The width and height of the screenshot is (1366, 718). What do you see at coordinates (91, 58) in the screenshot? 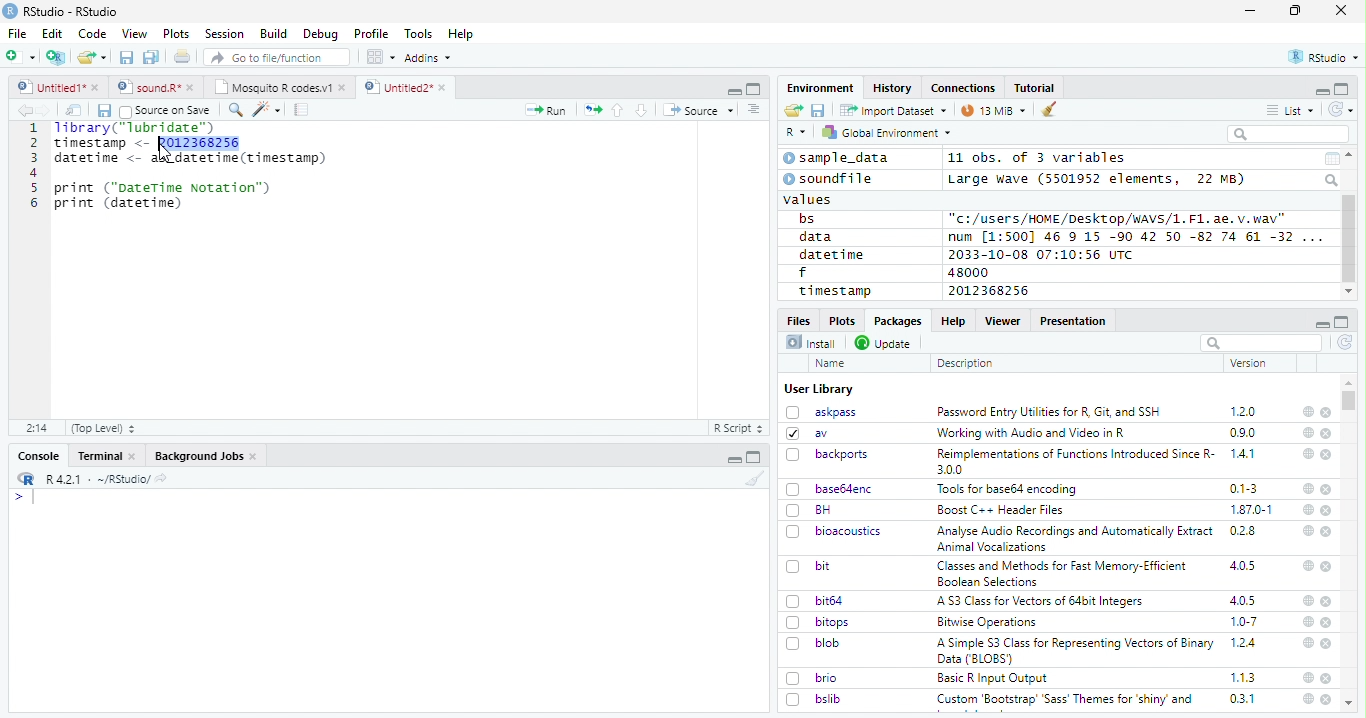
I see `open an existing file` at bounding box center [91, 58].